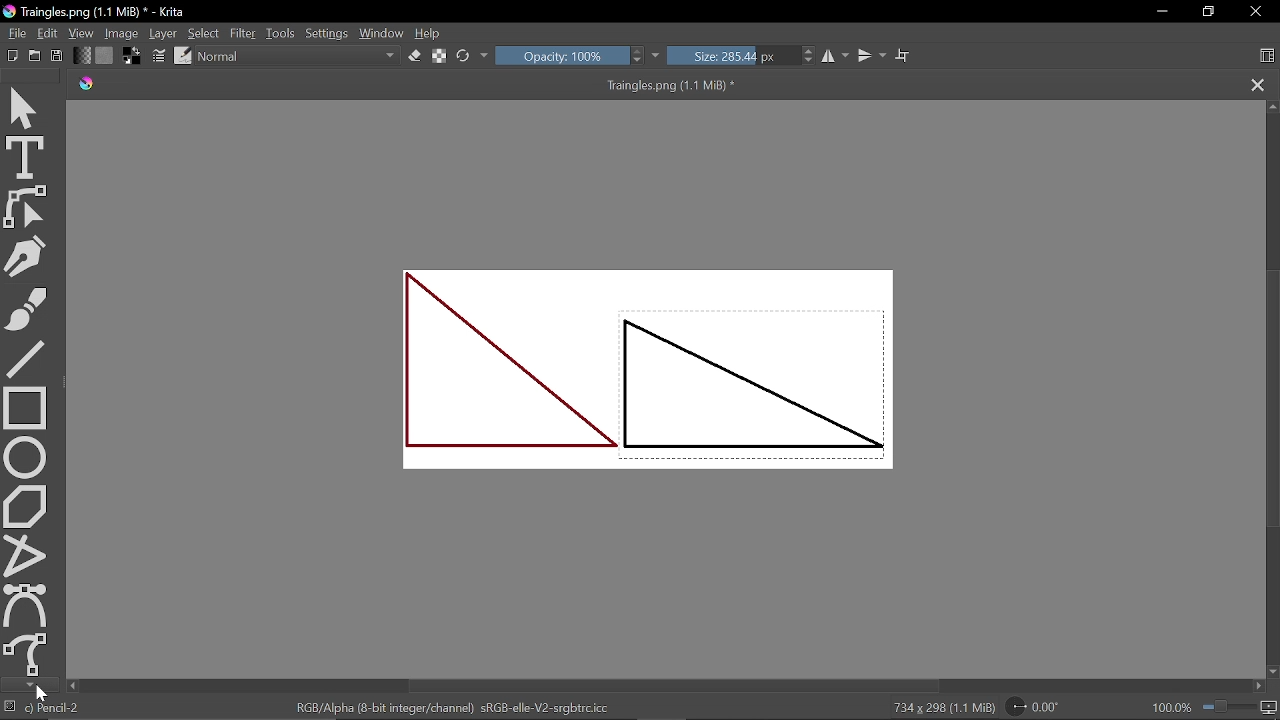  I want to click on Bezier curve tool, so click(26, 605).